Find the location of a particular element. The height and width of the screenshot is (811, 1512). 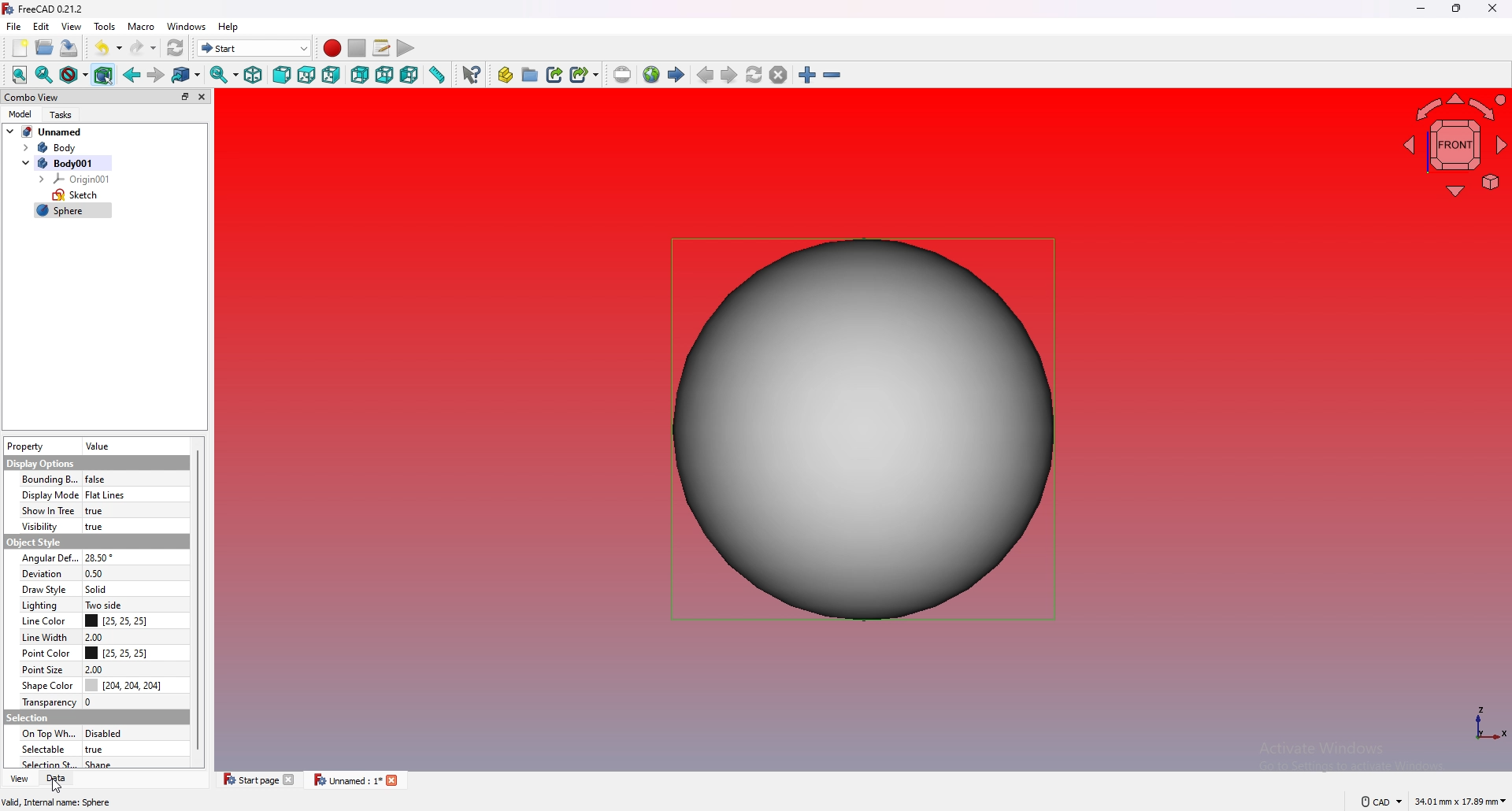

refresh webpage is located at coordinates (754, 74).